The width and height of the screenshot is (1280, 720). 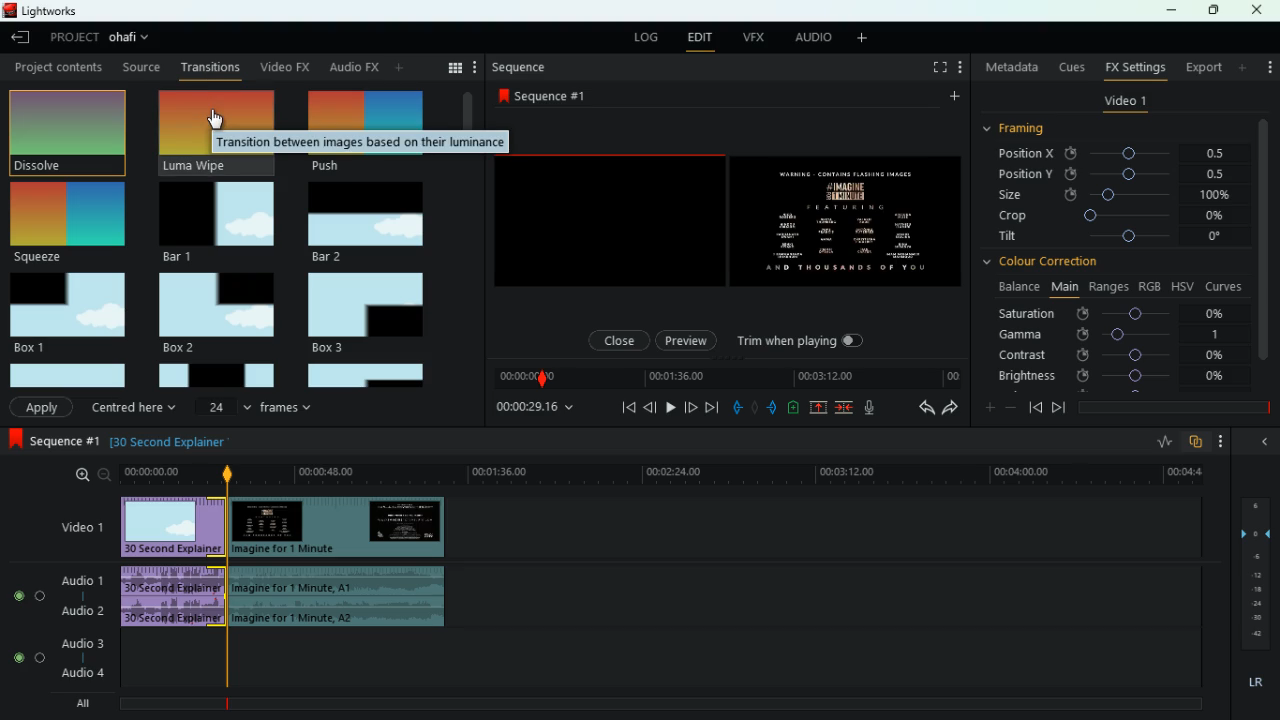 I want to click on preview, so click(x=686, y=338).